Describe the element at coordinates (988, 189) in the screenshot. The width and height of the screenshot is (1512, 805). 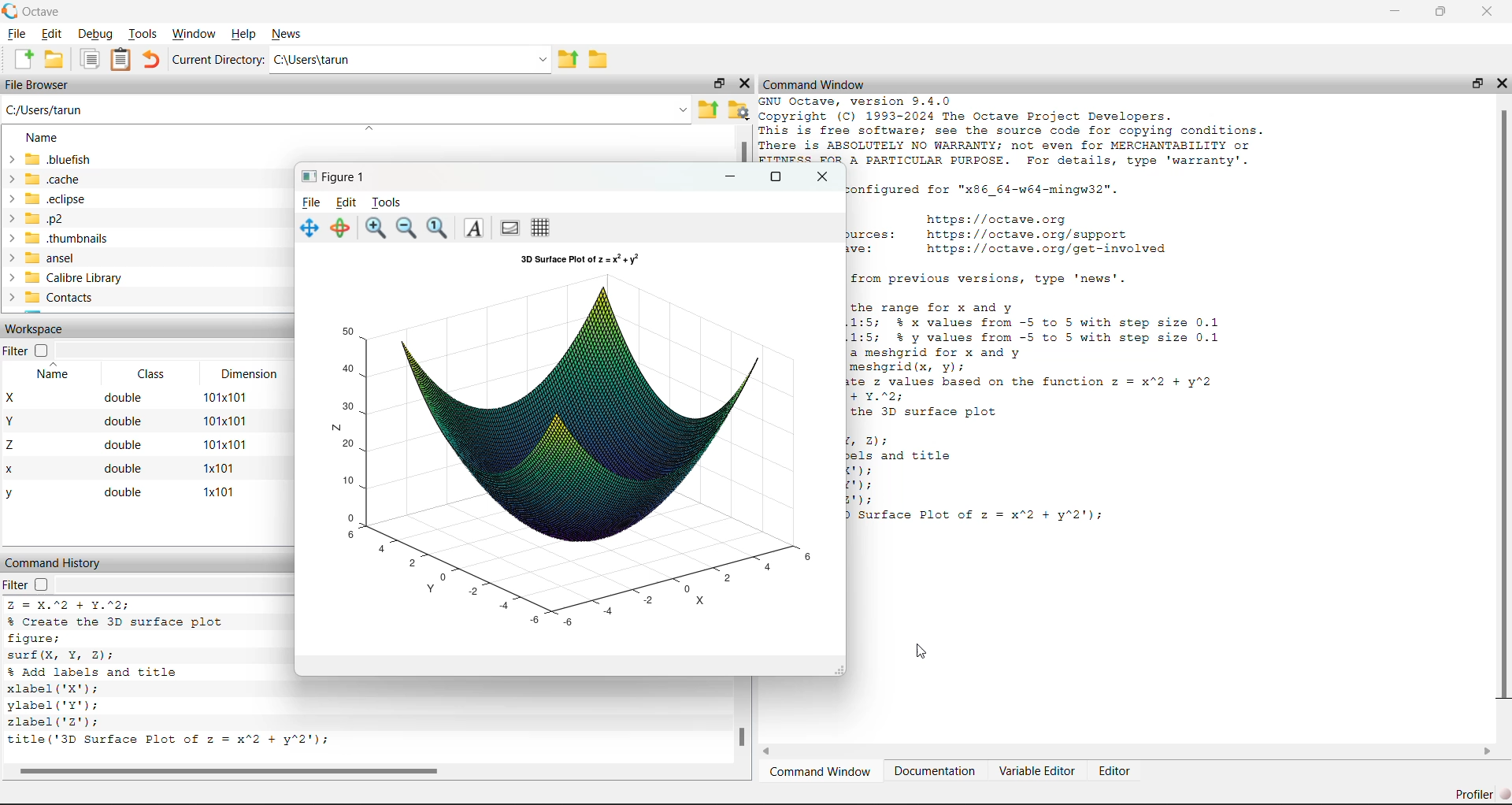
I see `Octave was configured for "x86 64-w64-mingw32".` at that location.